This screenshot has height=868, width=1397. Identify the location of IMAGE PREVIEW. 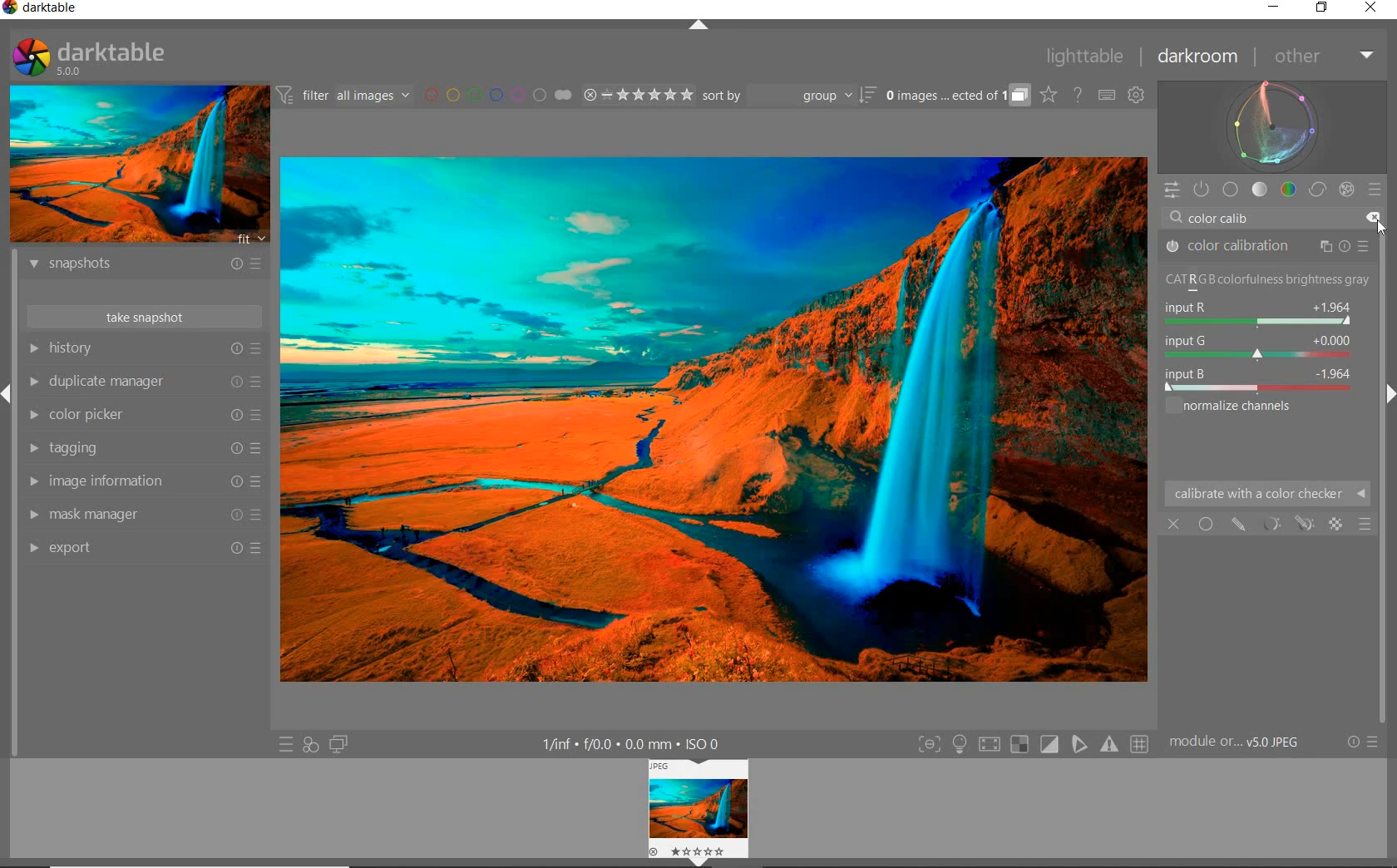
(137, 165).